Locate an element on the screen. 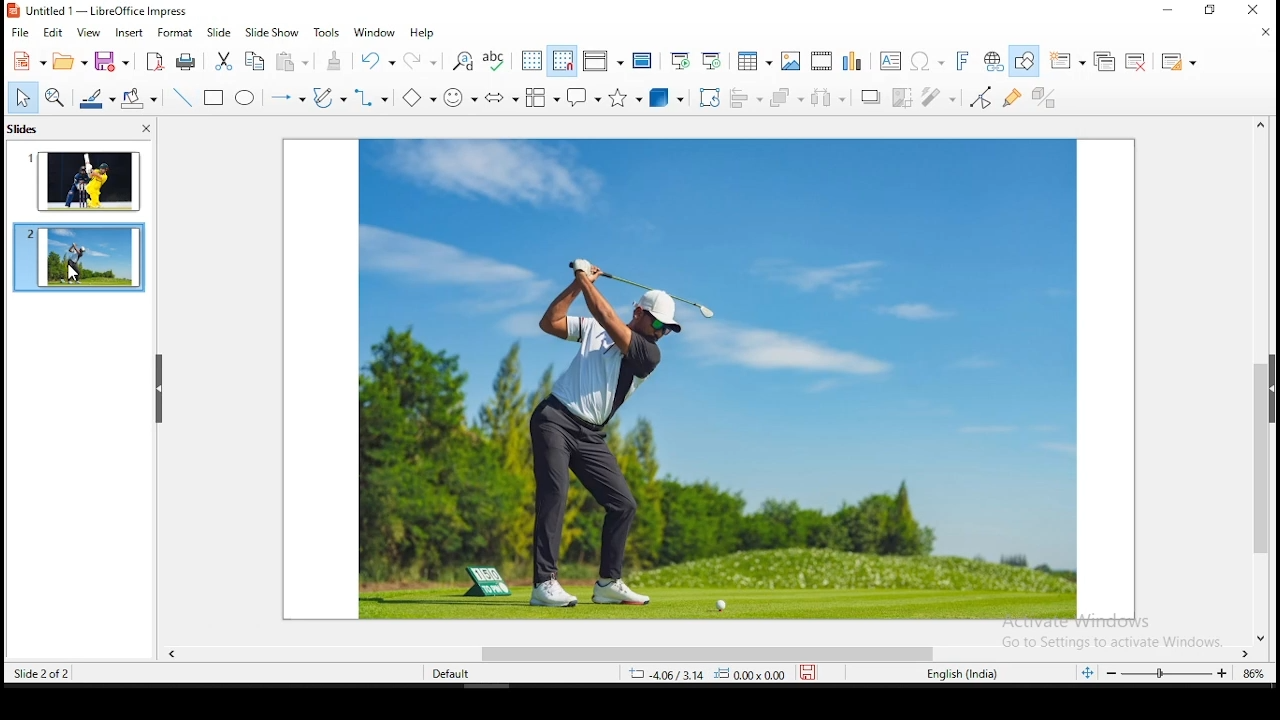  save is located at coordinates (811, 671).